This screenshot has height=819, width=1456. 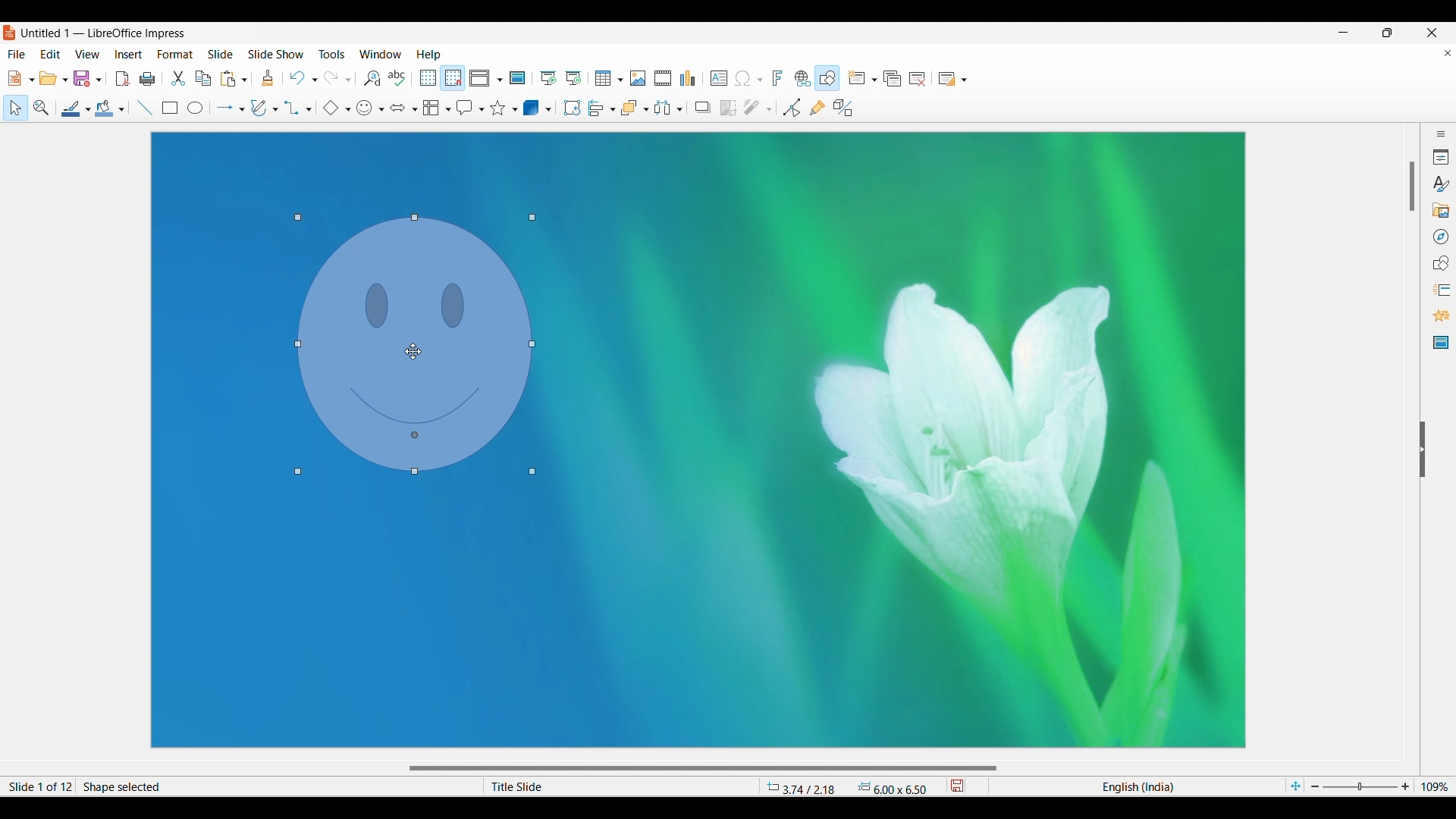 I want to click on Horizontal slide bar, so click(x=703, y=769).